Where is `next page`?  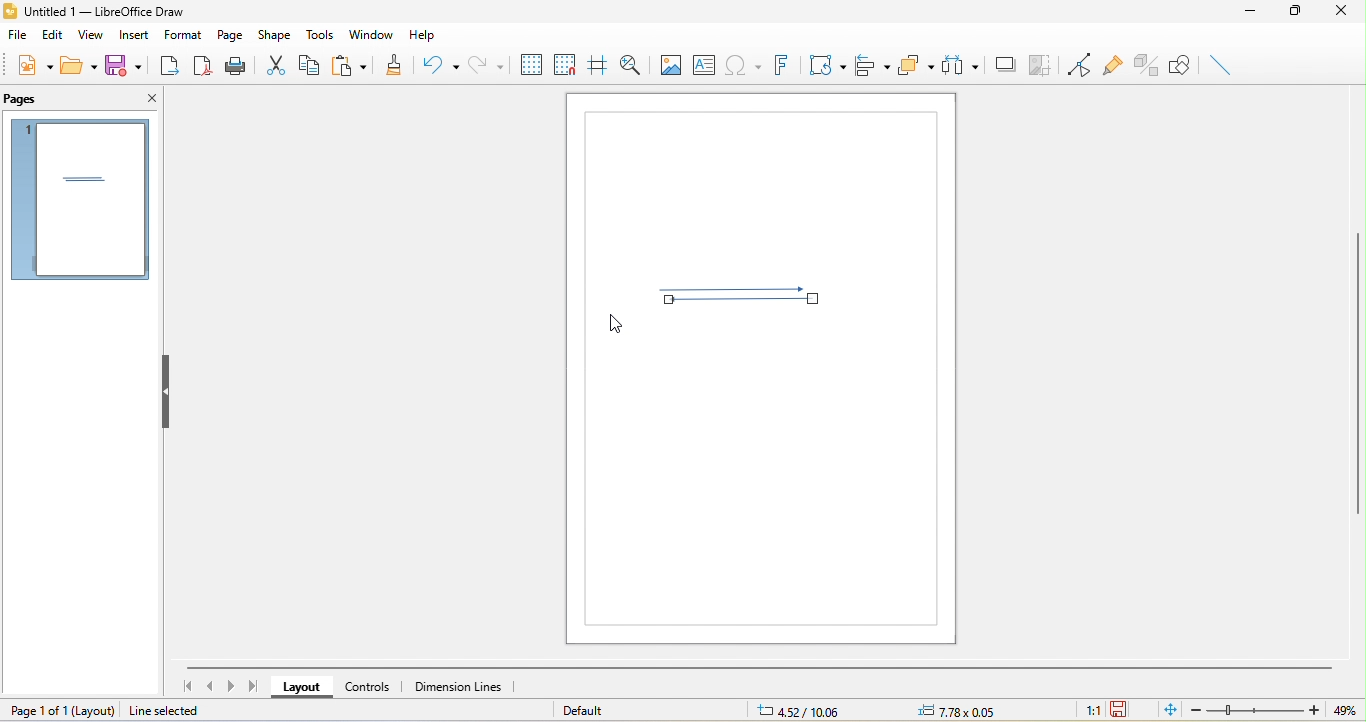
next page is located at coordinates (232, 685).